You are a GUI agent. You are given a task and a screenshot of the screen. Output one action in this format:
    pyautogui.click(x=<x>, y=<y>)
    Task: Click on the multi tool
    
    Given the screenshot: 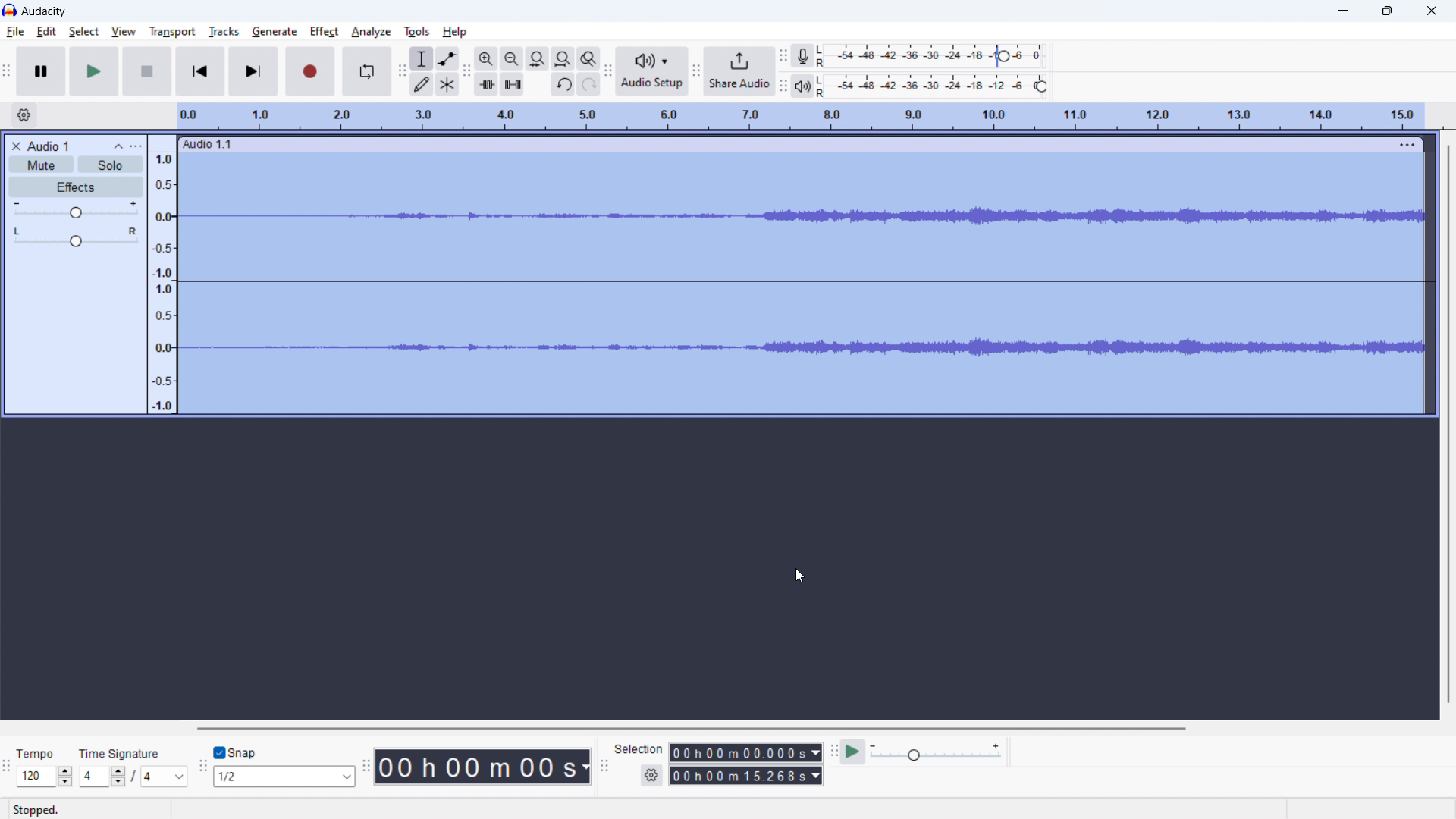 What is the action you would take?
    pyautogui.click(x=448, y=84)
    